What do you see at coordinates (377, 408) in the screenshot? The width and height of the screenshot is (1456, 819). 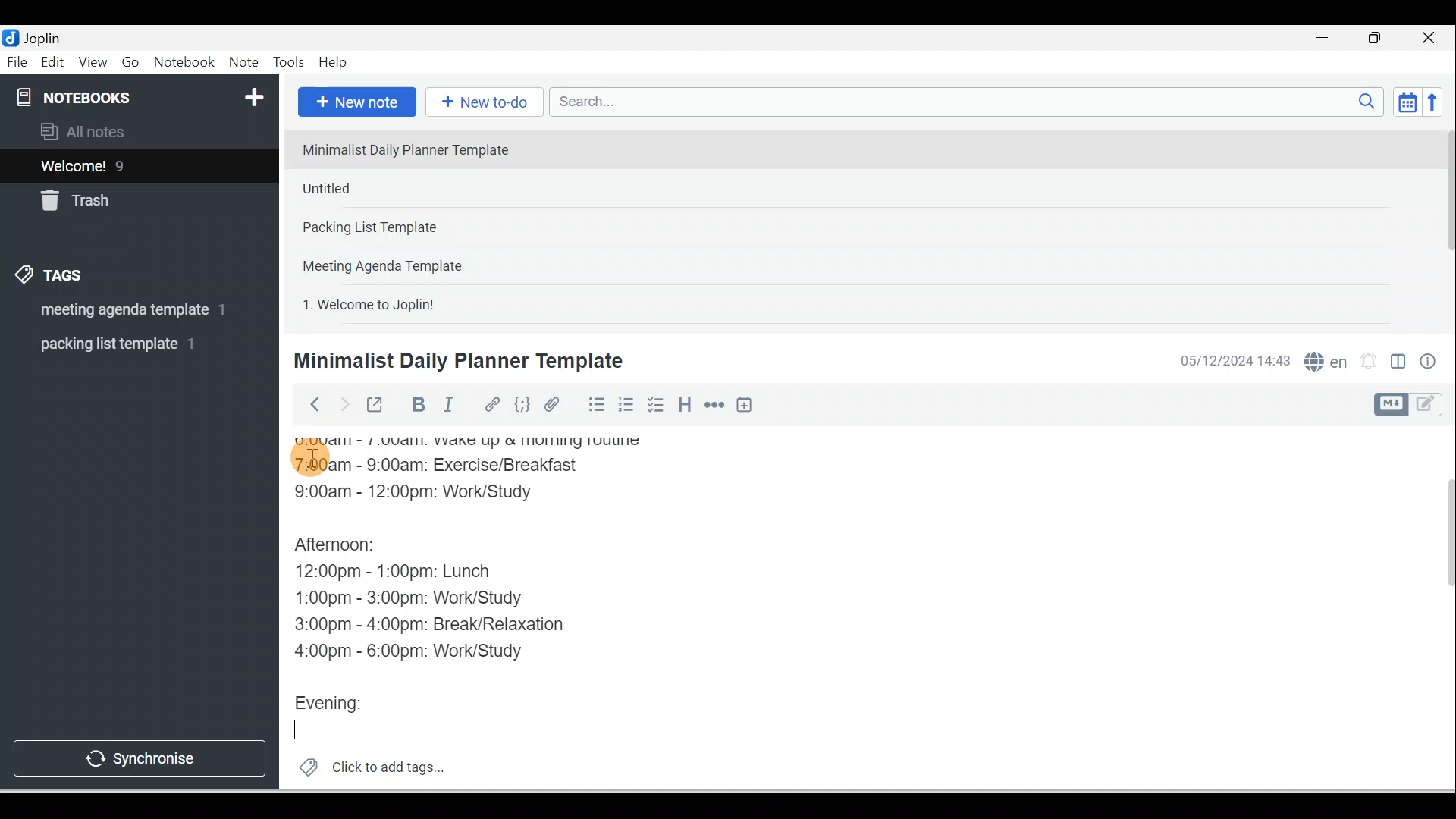 I see `Toggle external editing` at bounding box center [377, 408].